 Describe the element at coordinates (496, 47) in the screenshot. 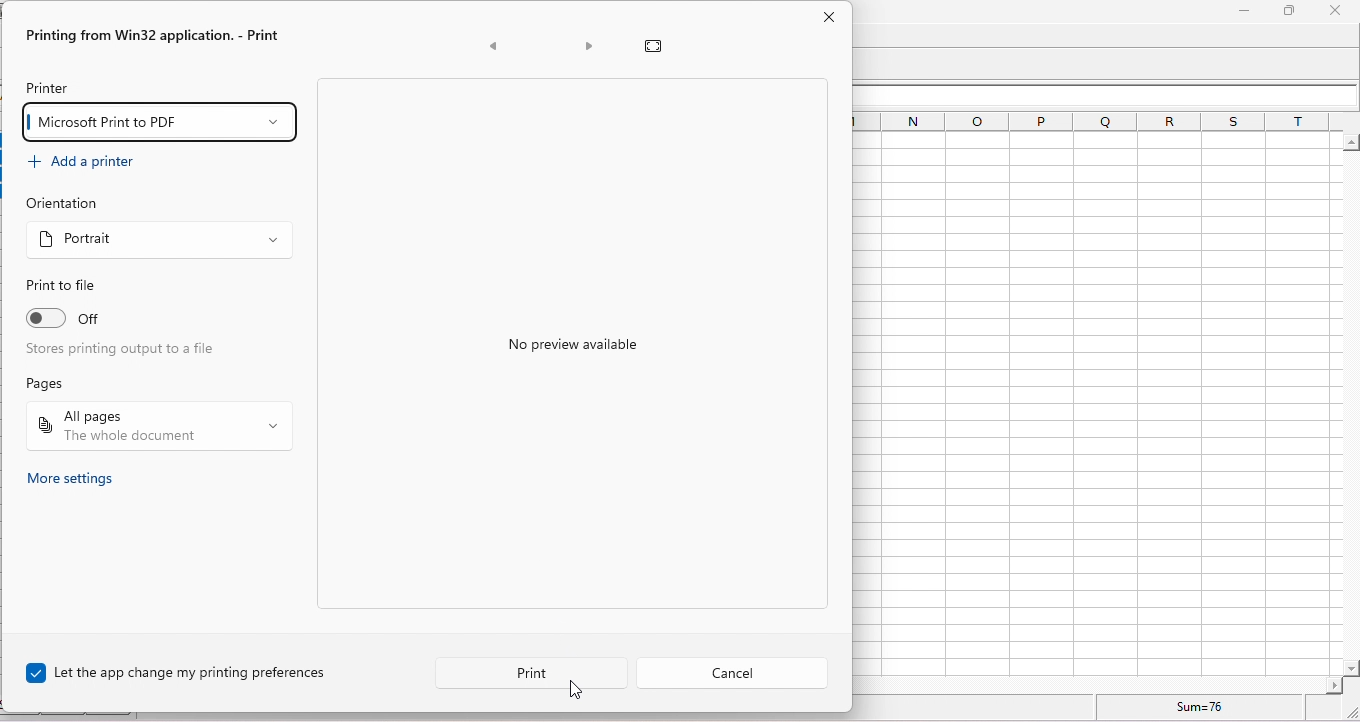

I see `previous` at that location.